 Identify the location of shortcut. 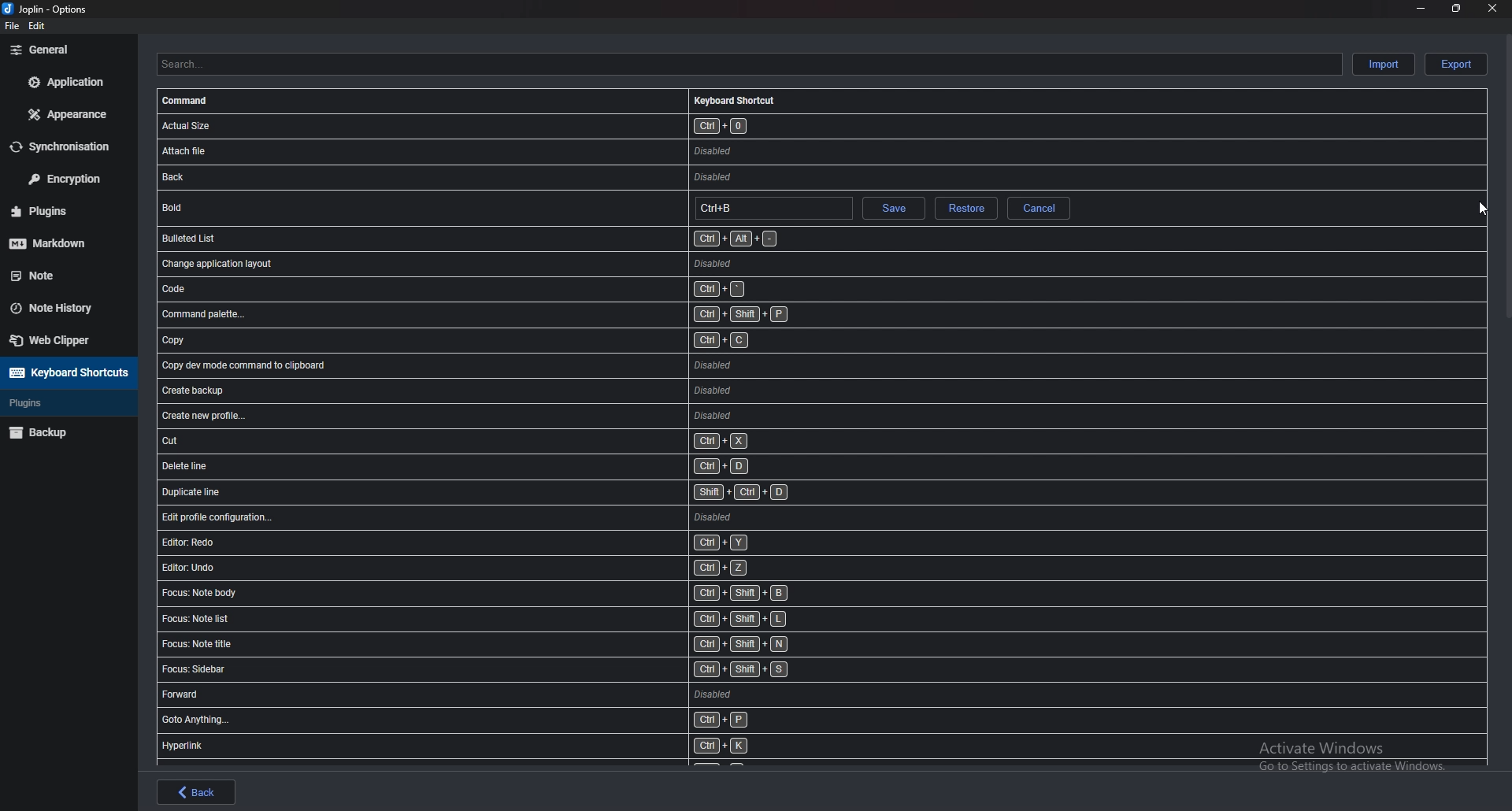
(507, 363).